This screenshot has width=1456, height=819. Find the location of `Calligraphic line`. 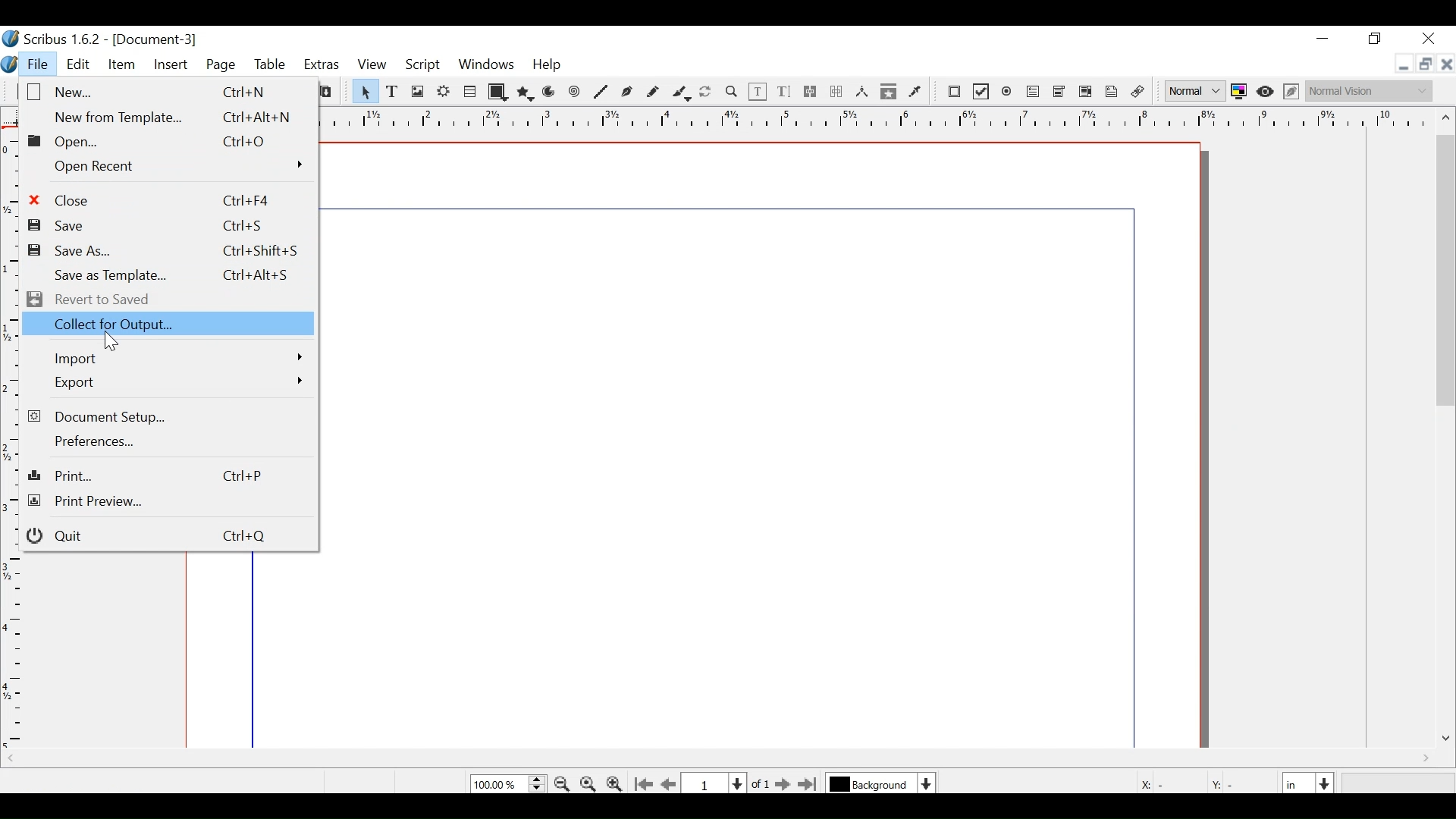

Calligraphic line is located at coordinates (682, 93).